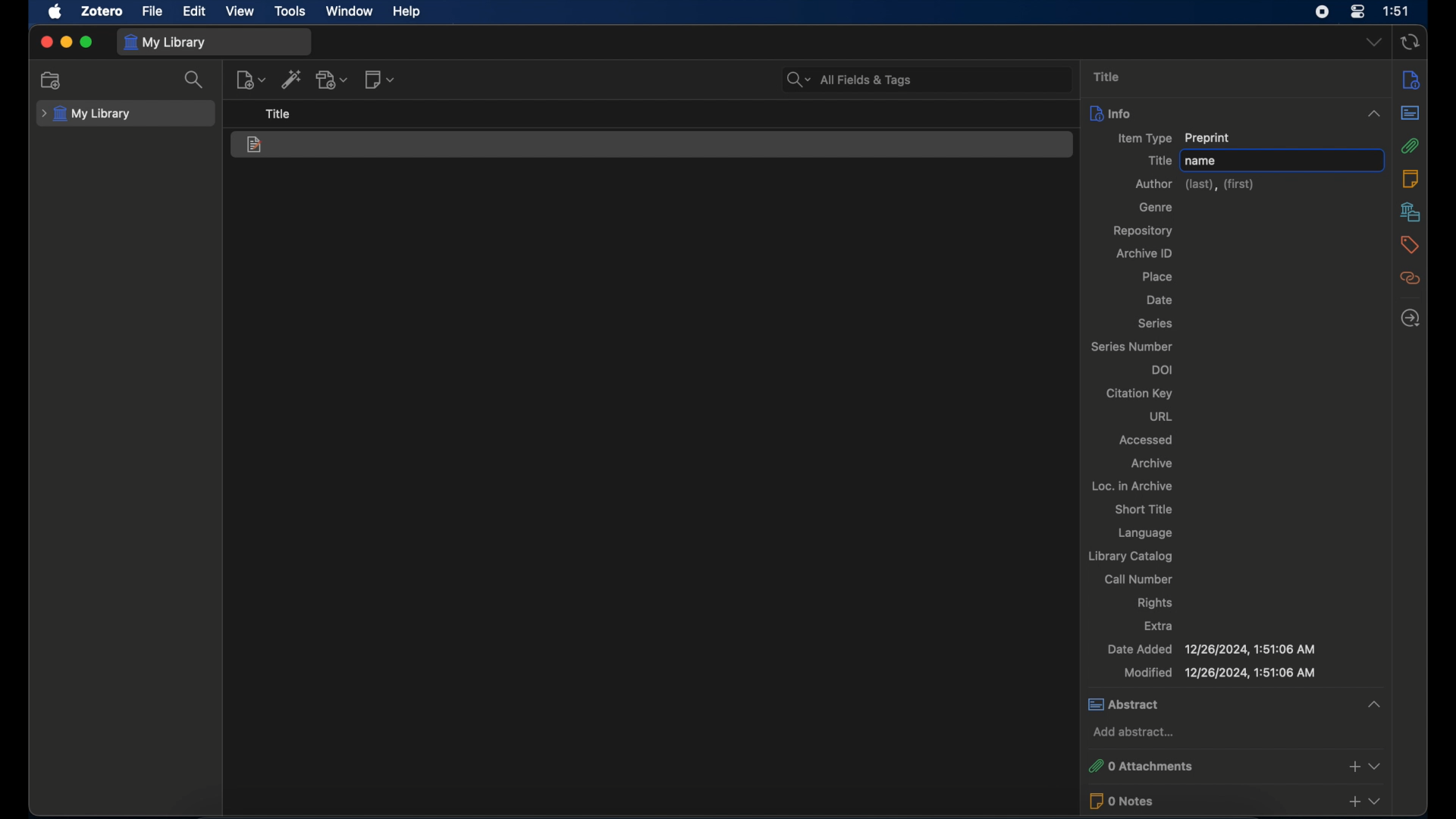 The height and width of the screenshot is (819, 1456). What do you see at coordinates (1235, 112) in the screenshot?
I see `info` at bounding box center [1235, 112].